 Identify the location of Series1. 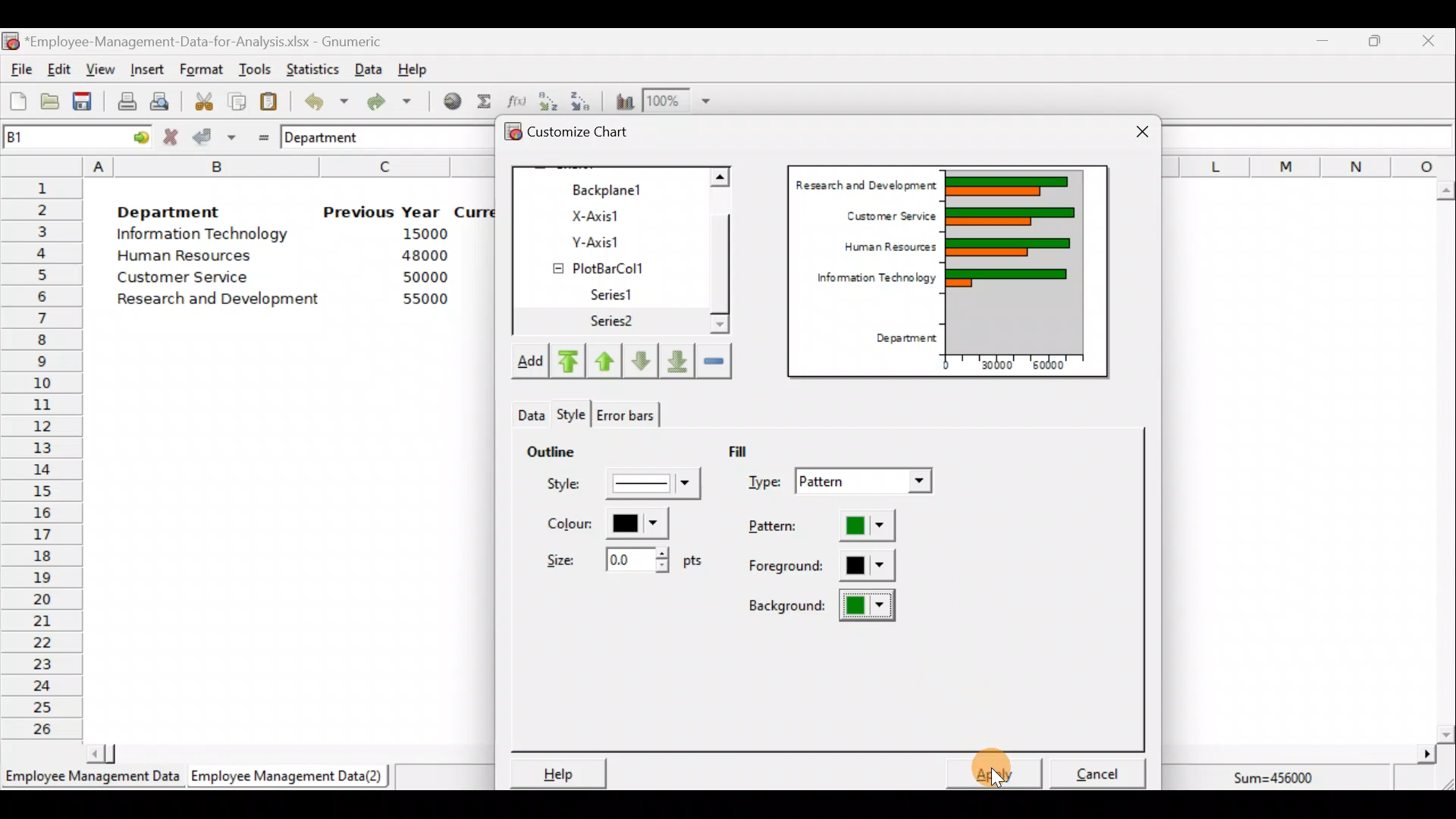
(620, 295).